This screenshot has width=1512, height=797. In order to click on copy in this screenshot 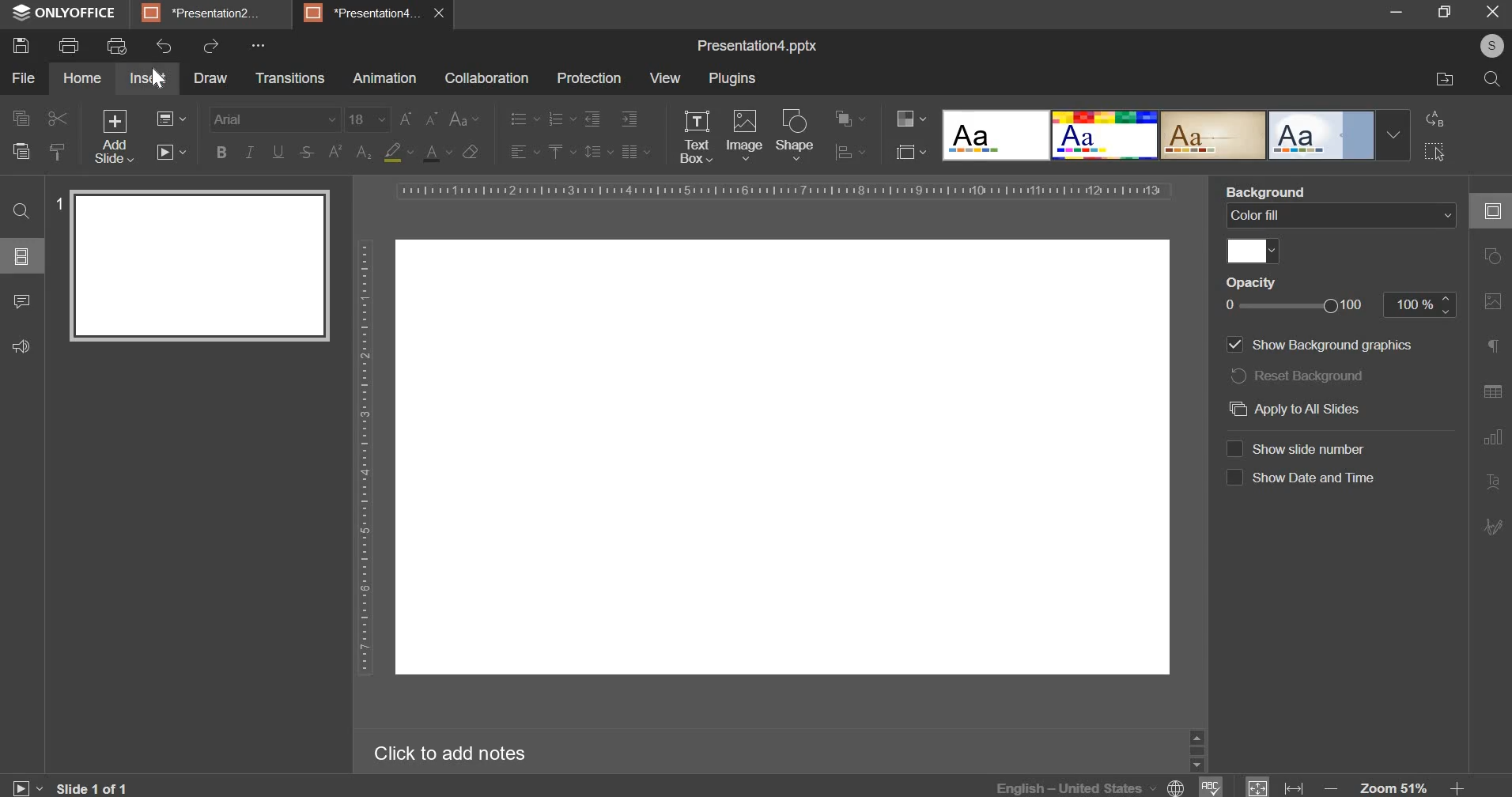, I will do `click(19, 119)`.